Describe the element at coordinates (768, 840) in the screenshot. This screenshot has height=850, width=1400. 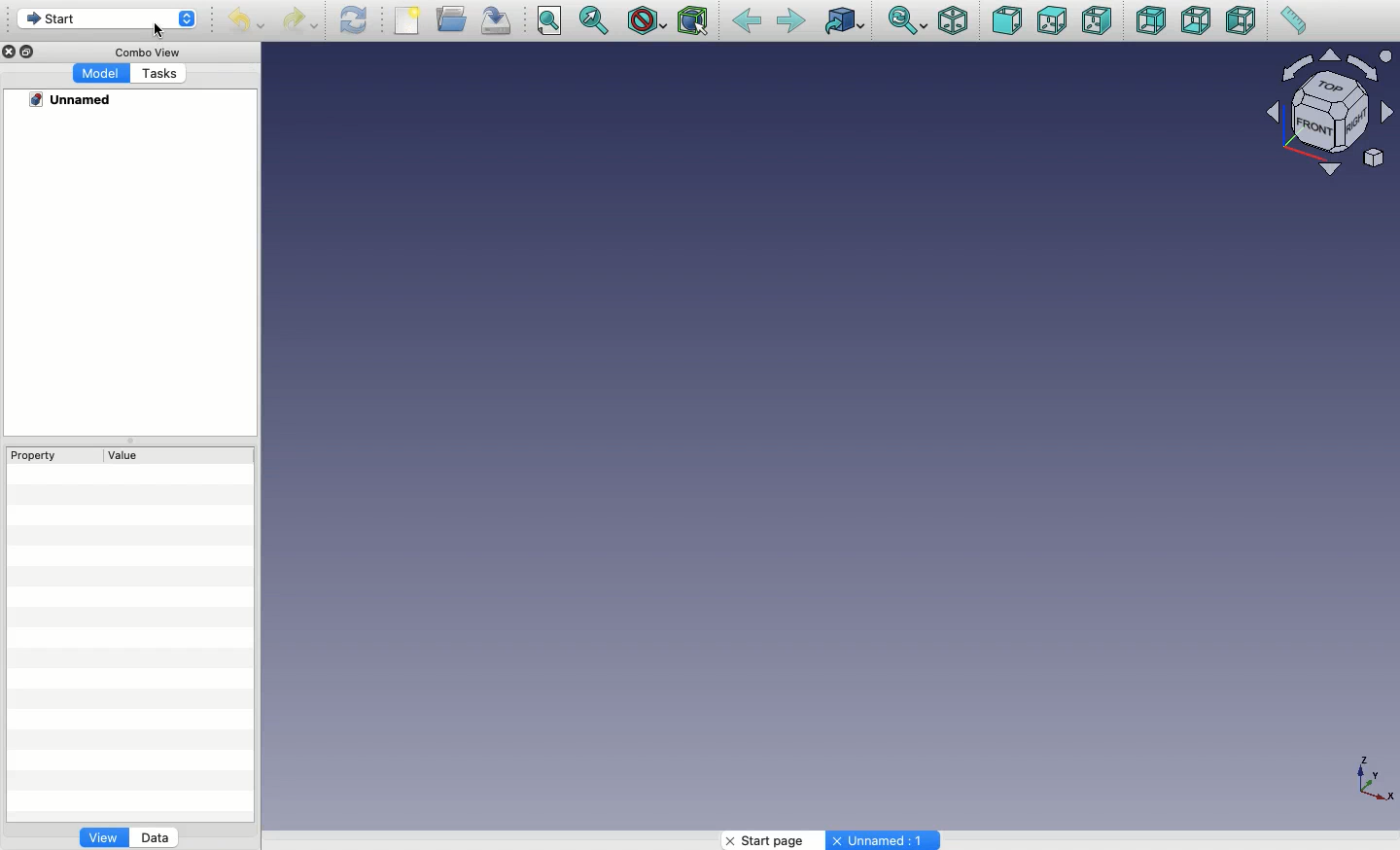
I see `Start page` at that location.